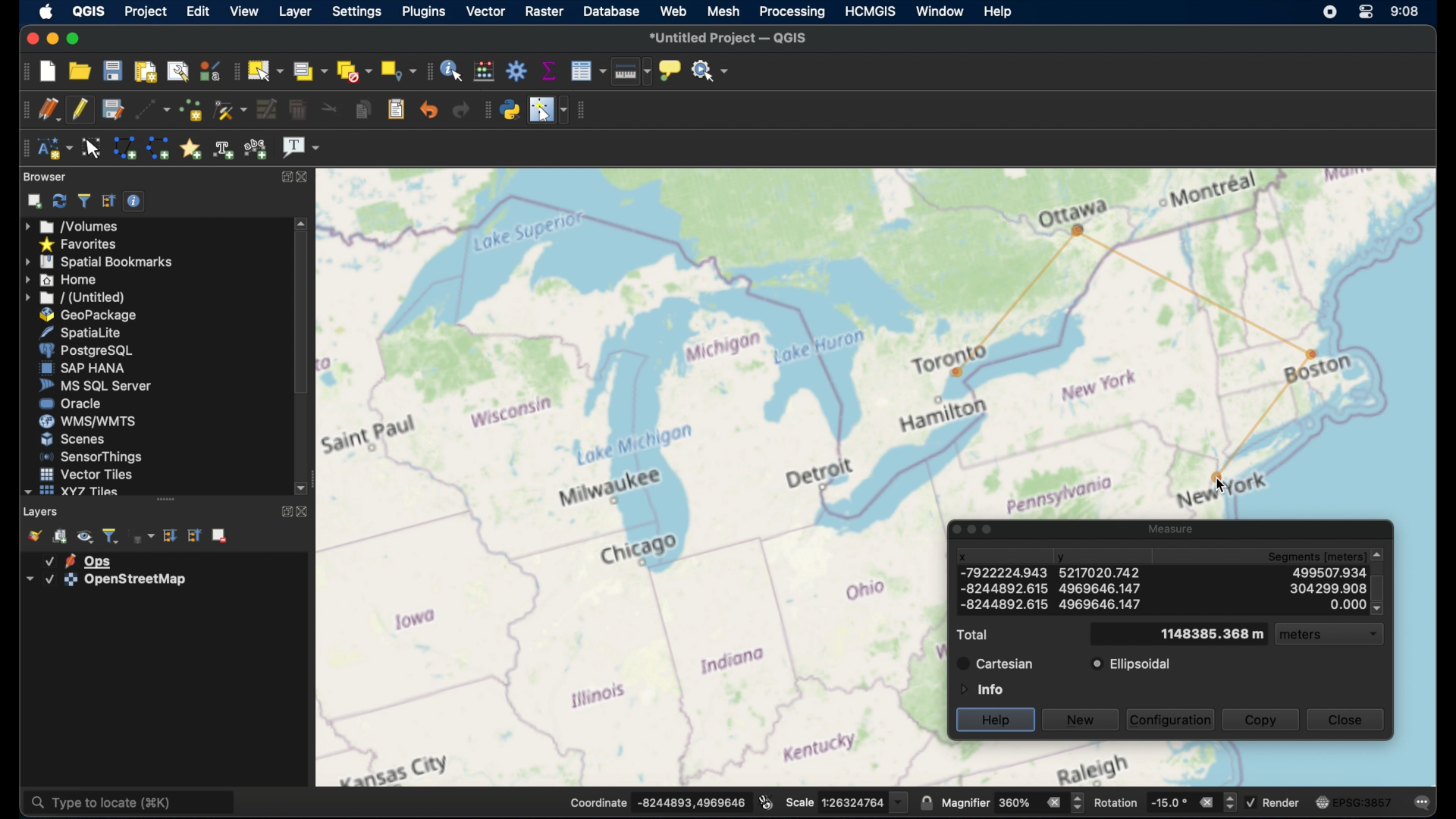  Describe the element at coordinates (1329, 12) in the screenshot. I see `screen recorder icon` at that location.